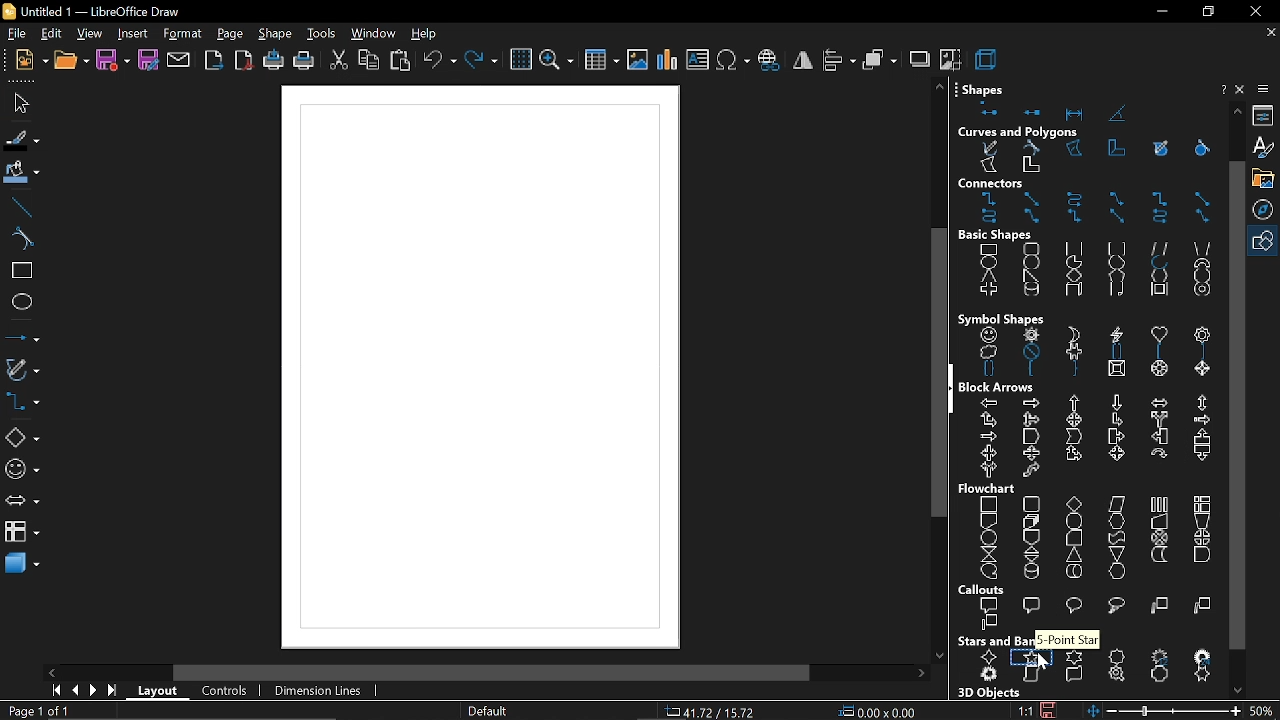  What do you see at coordinates (1255, 11) in the screenshot?
I see `close` at bounding box center [1255, 11].